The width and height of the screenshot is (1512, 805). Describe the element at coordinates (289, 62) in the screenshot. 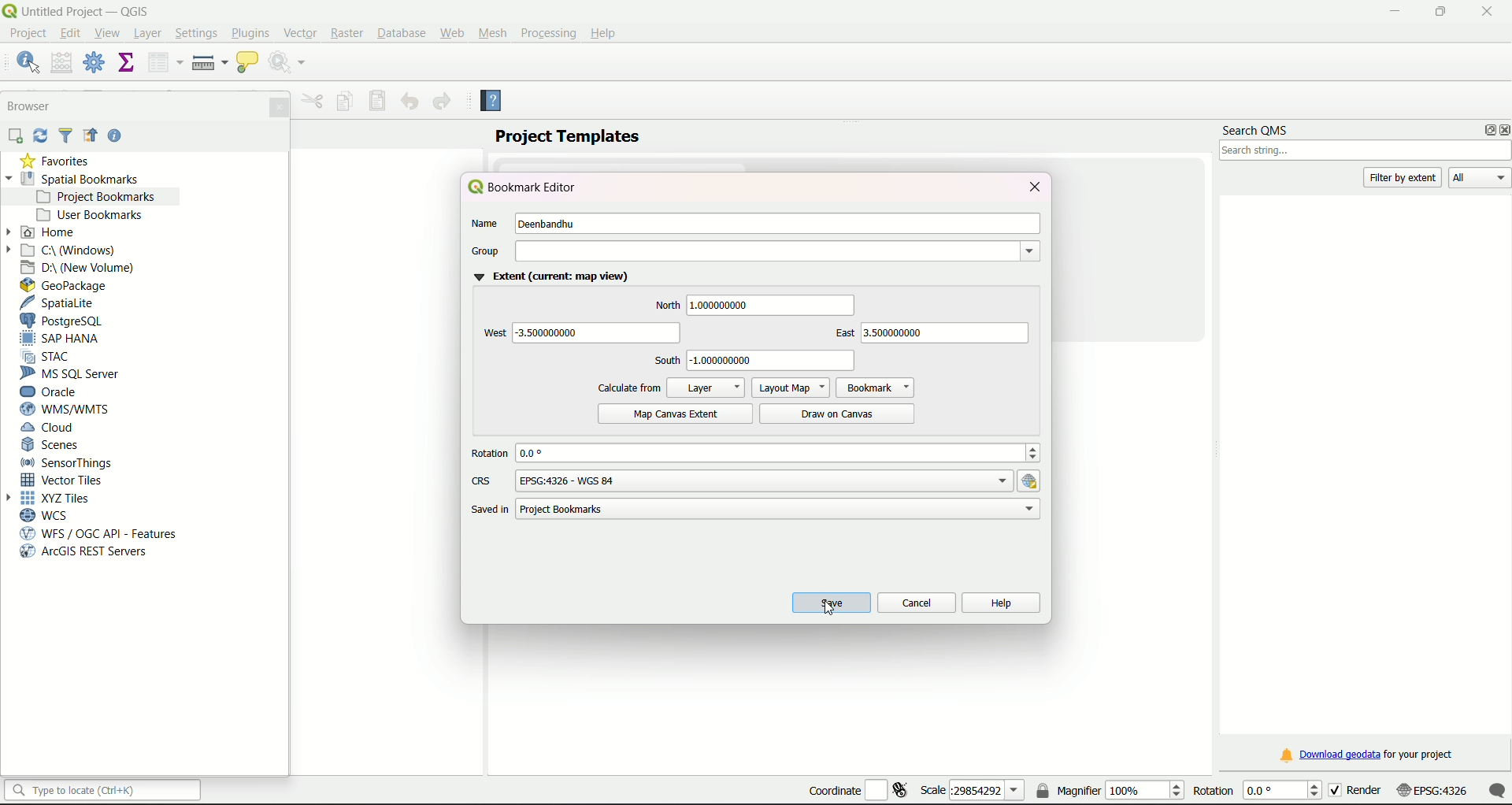

I see `run feature action` at that location.